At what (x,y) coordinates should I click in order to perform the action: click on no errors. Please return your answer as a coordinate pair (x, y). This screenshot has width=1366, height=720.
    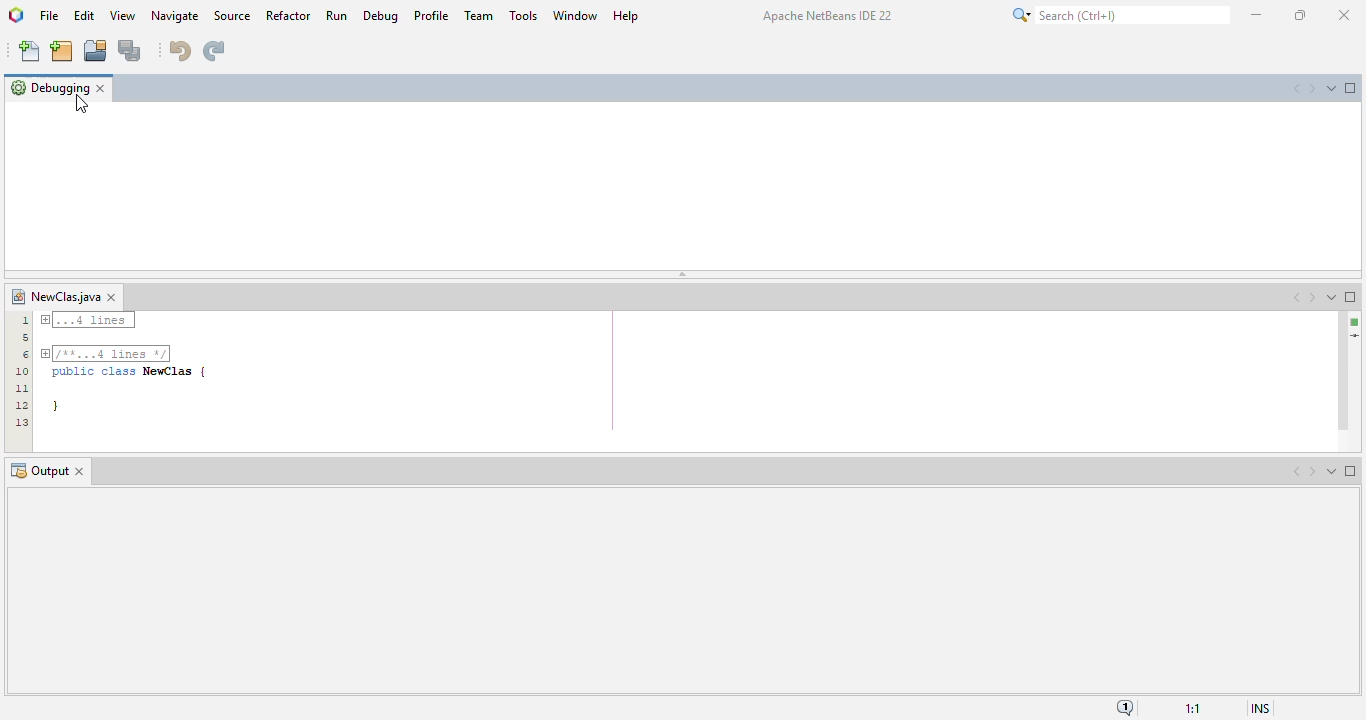
    Looking at the image, I should click on (1355, 322).